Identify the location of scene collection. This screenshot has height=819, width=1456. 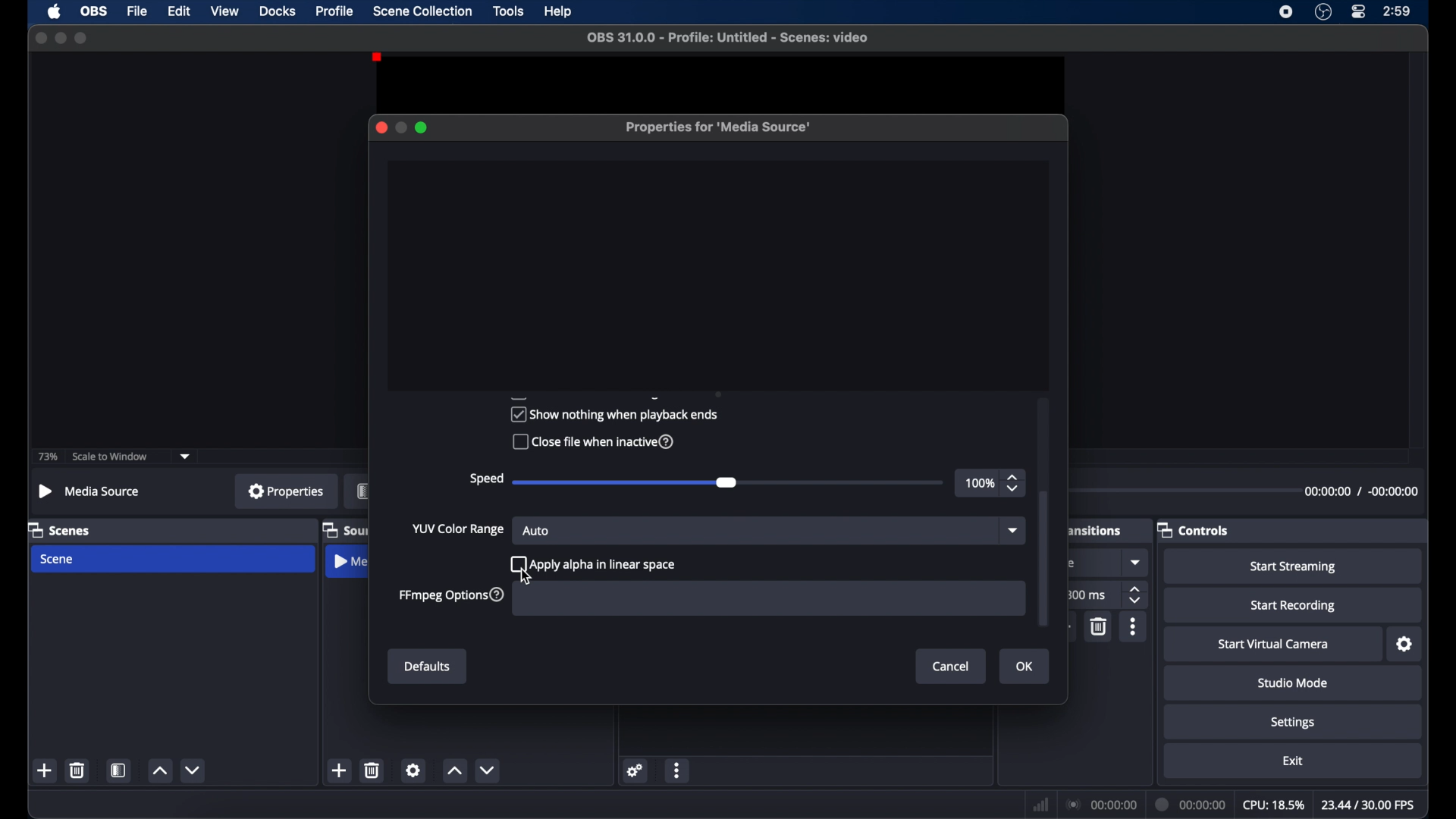
(422, 11).